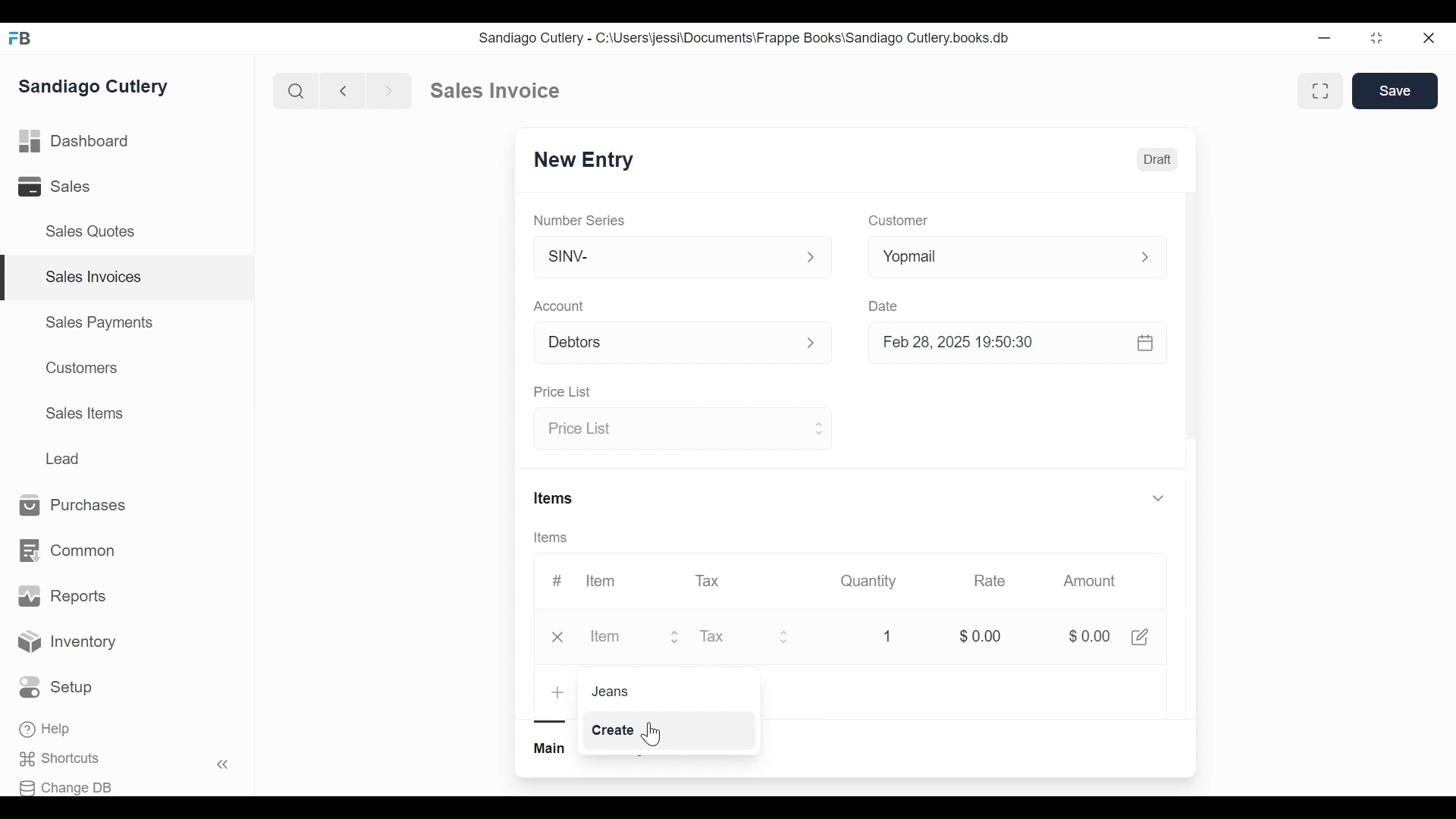 This screenshot has width=1456, height=819. I want to click on Sales, so click(57, 186).